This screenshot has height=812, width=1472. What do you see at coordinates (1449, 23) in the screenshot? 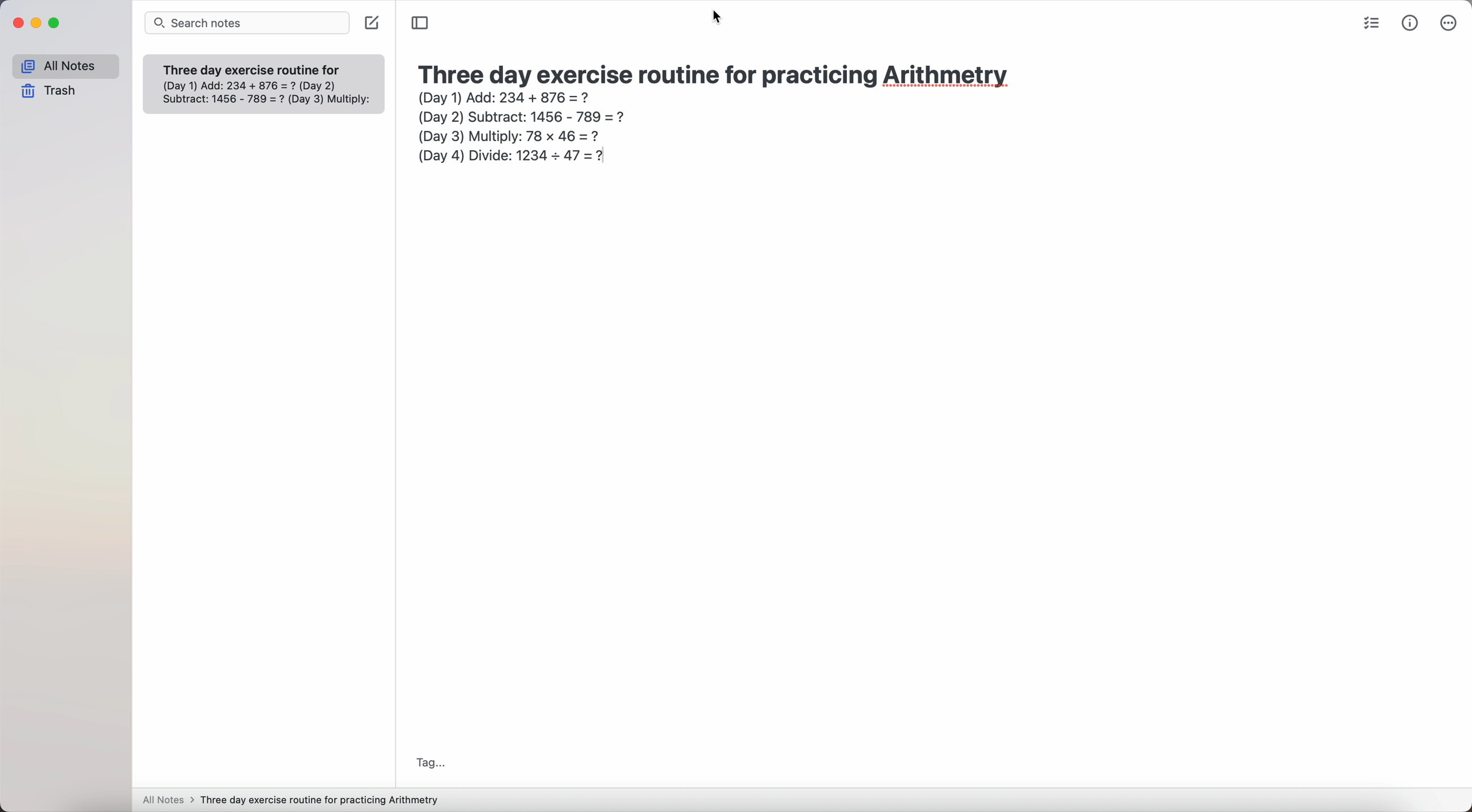
I see `more options` at bounding box center [1449, 23].